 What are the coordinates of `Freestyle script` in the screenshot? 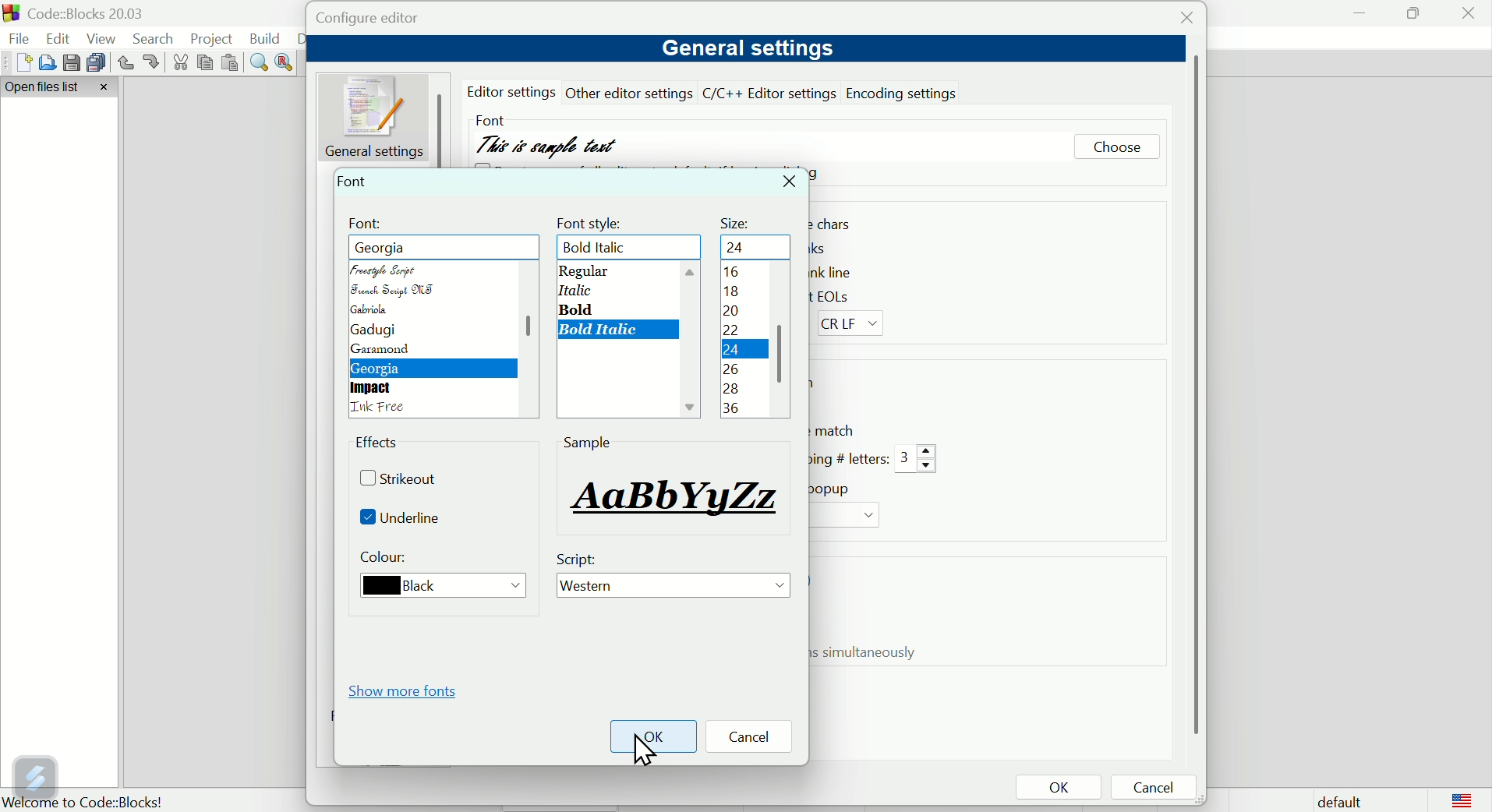 It's located at (403, 247).